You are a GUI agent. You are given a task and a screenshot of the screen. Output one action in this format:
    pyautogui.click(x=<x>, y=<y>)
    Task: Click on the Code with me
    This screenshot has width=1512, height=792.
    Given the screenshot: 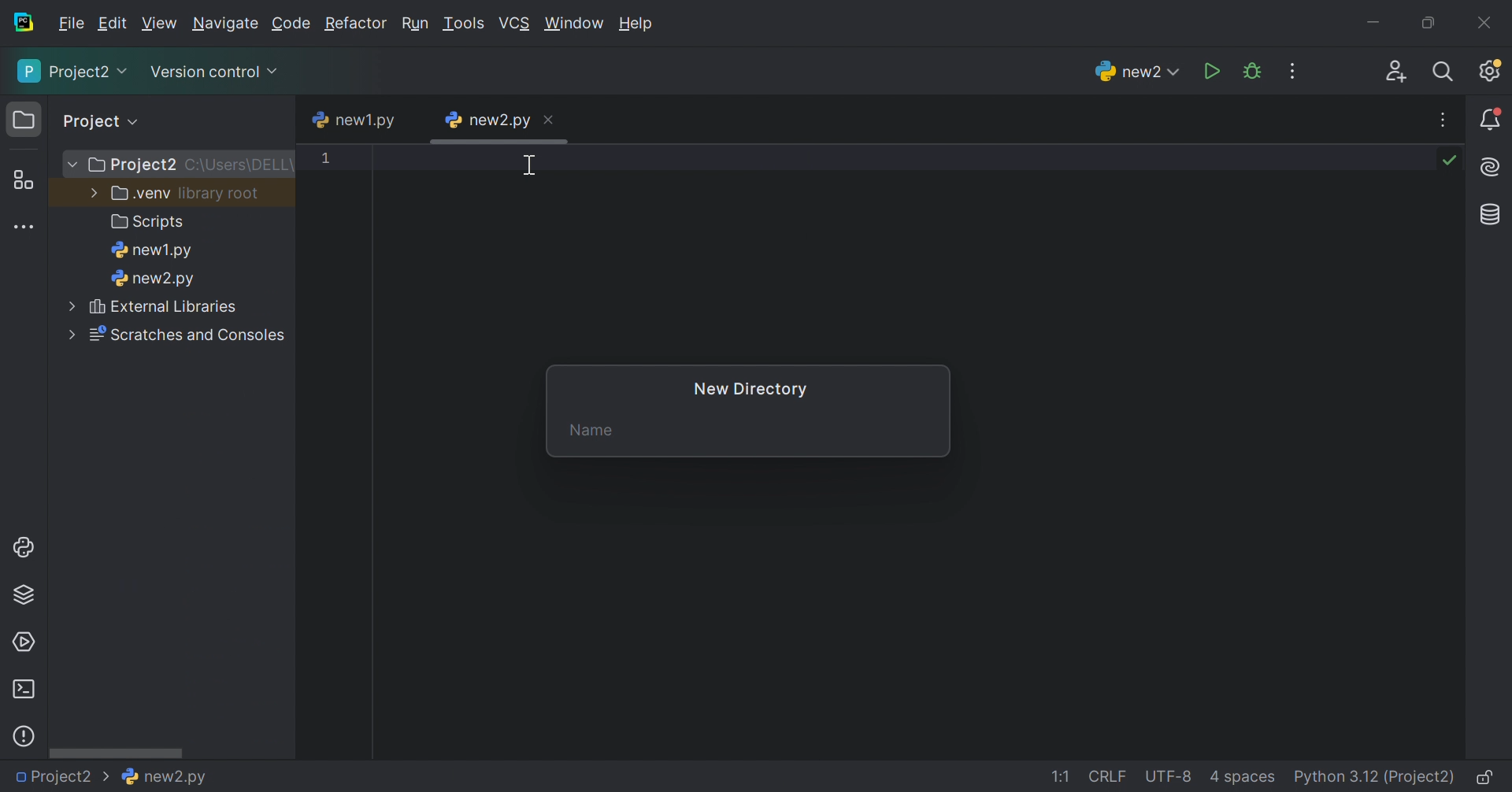 What is the action you would take?
    pyautogui.click(x=1395, y=72)
    